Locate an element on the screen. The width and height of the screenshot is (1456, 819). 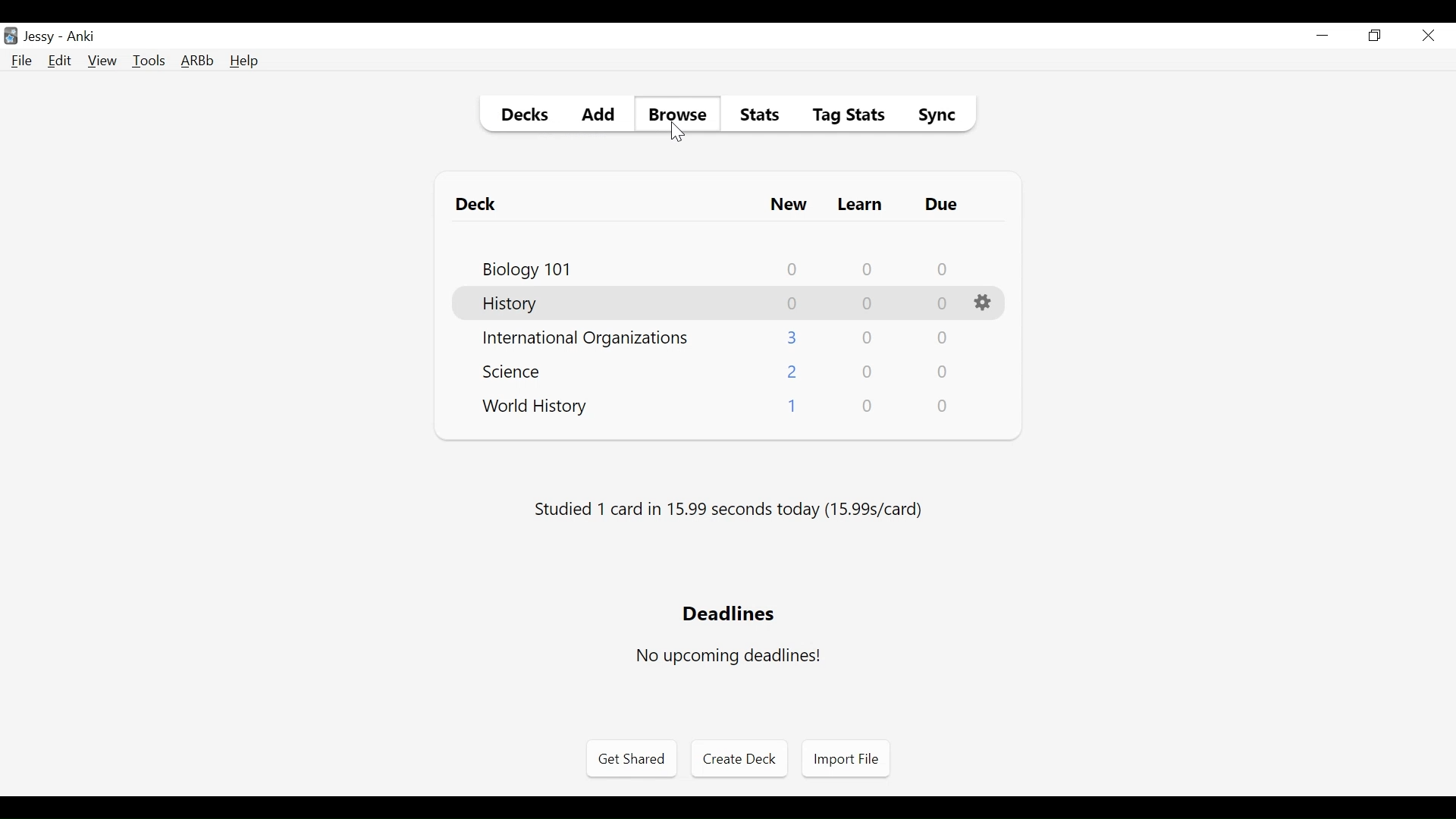
Anki Desktop Icon is located at coordinates (11, 36).